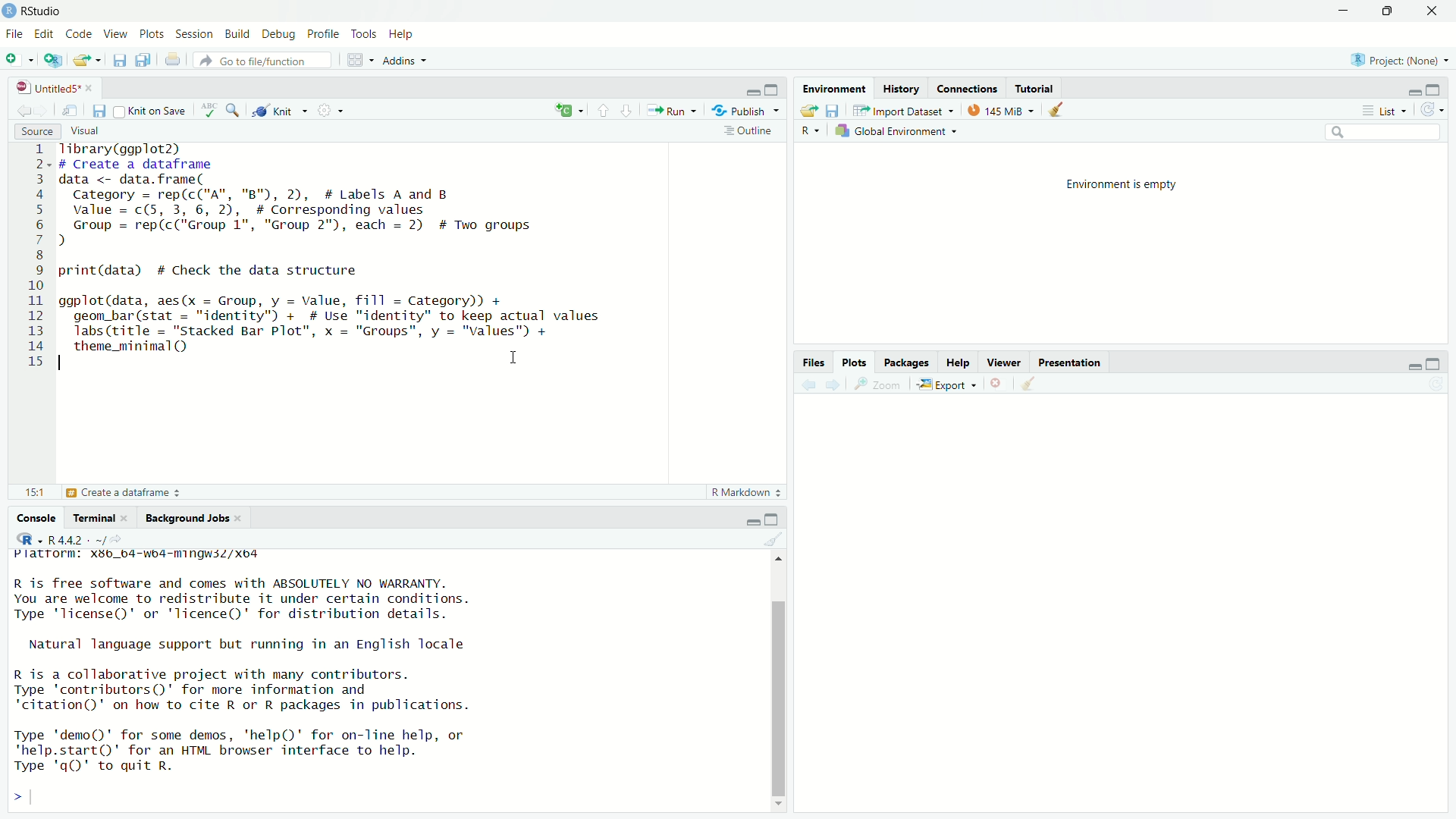 Image resolution: width=1456 pixels, height=819 pixels. I want to click on Scrollbar, so click(779, 691).